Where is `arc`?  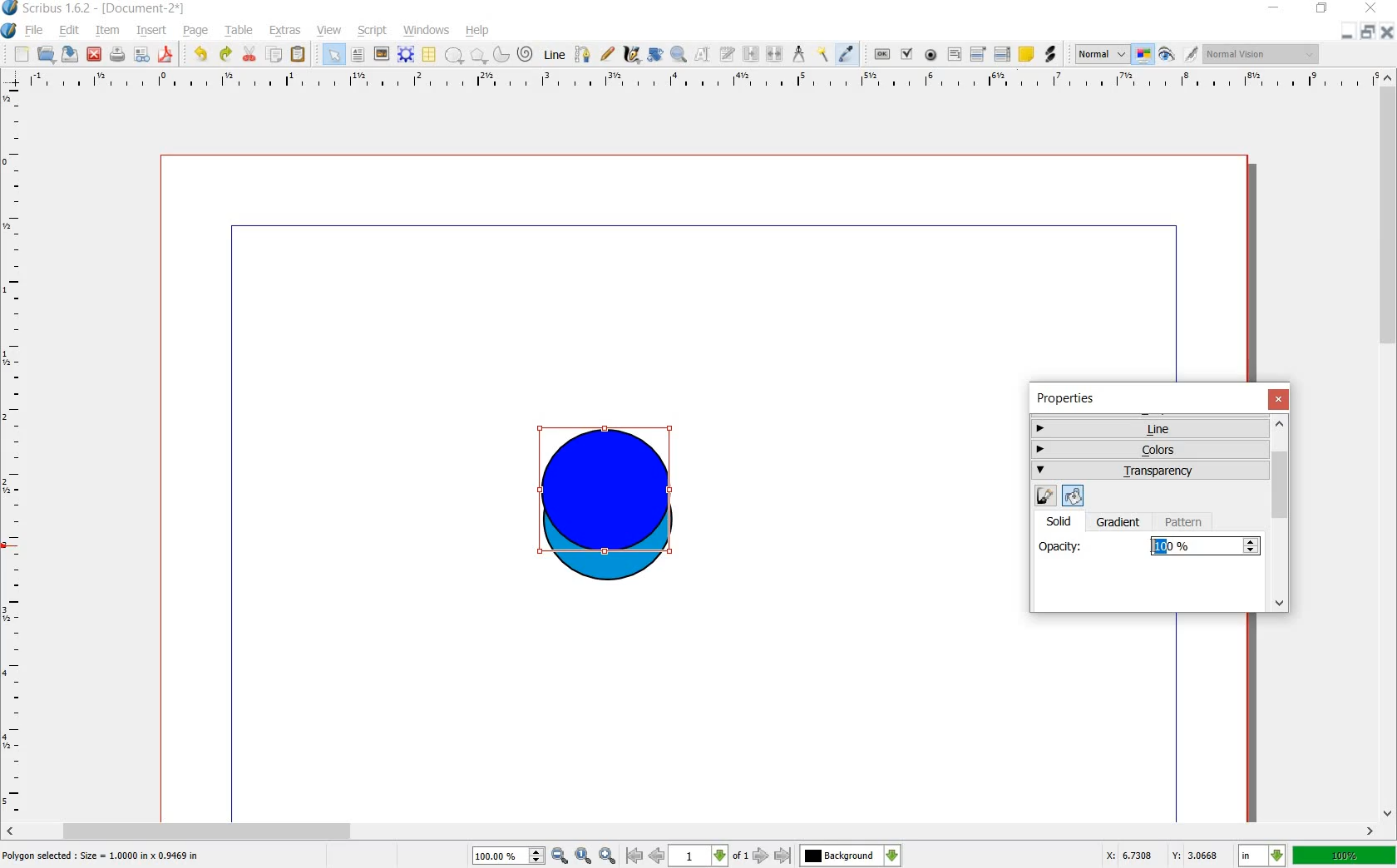
arc is located at coordinates (501, 57).